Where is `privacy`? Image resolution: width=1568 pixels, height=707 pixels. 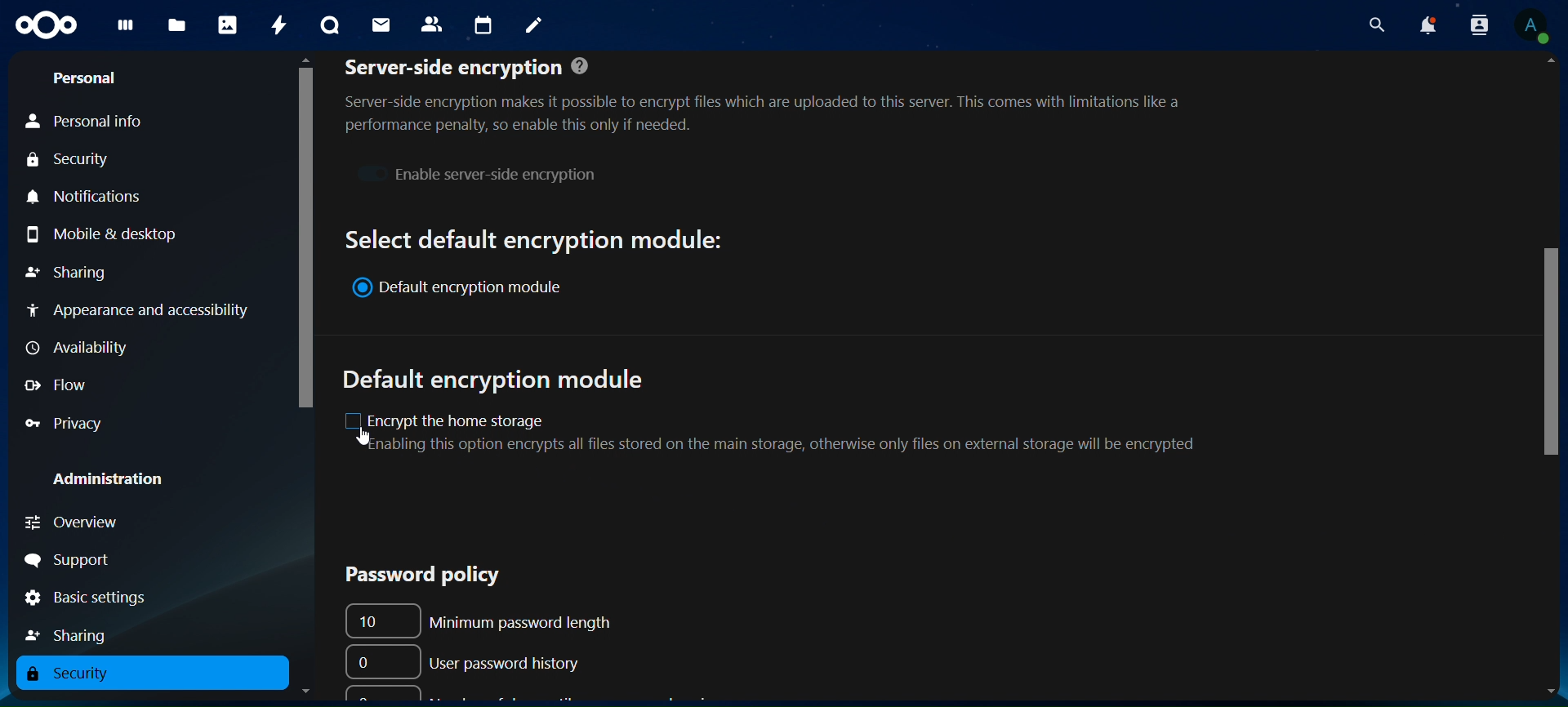 privacy is located at coordinates (65, 425).